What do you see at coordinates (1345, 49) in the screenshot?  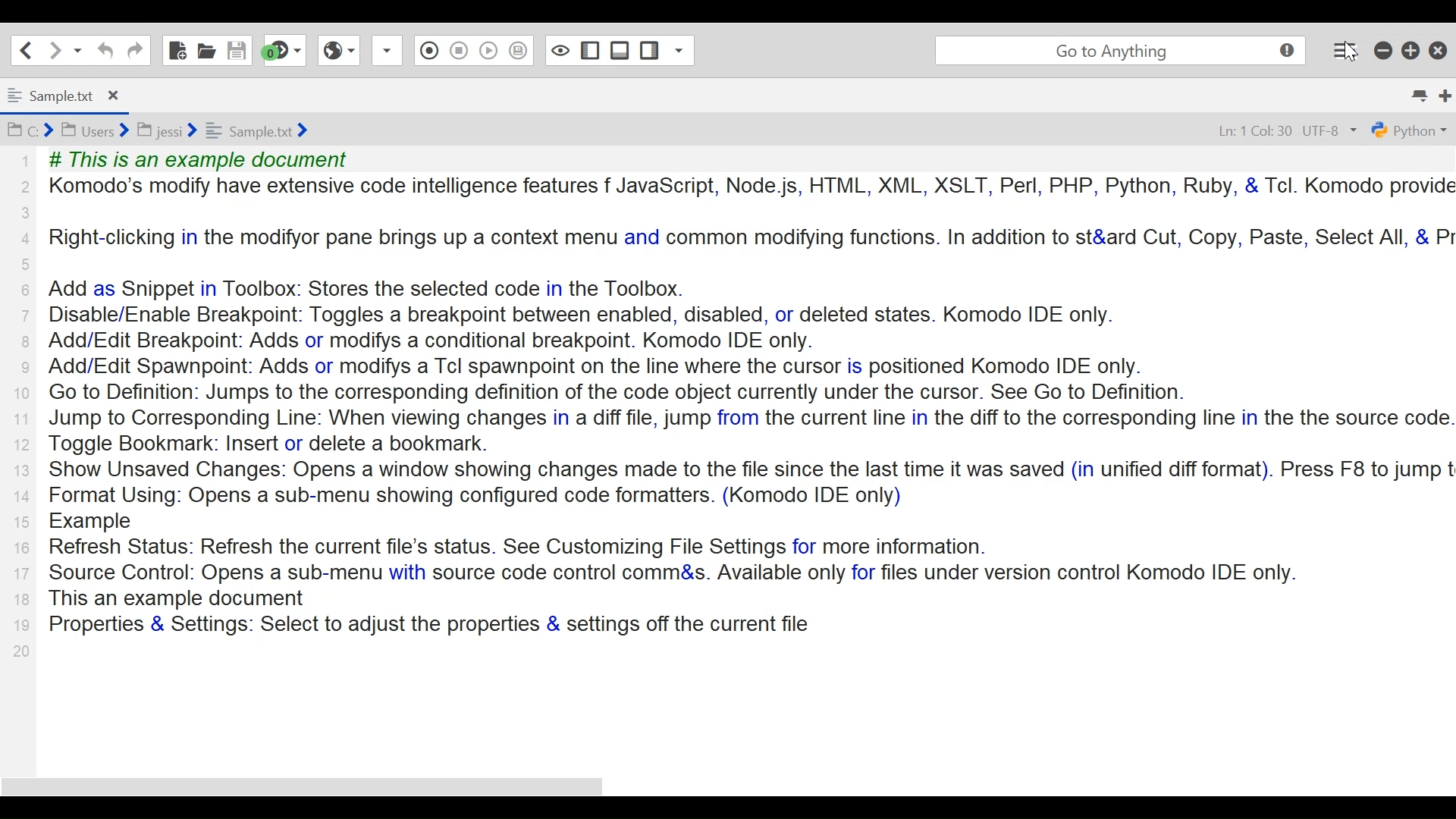 I see `Application menu` at bounding box center [1345, 49].